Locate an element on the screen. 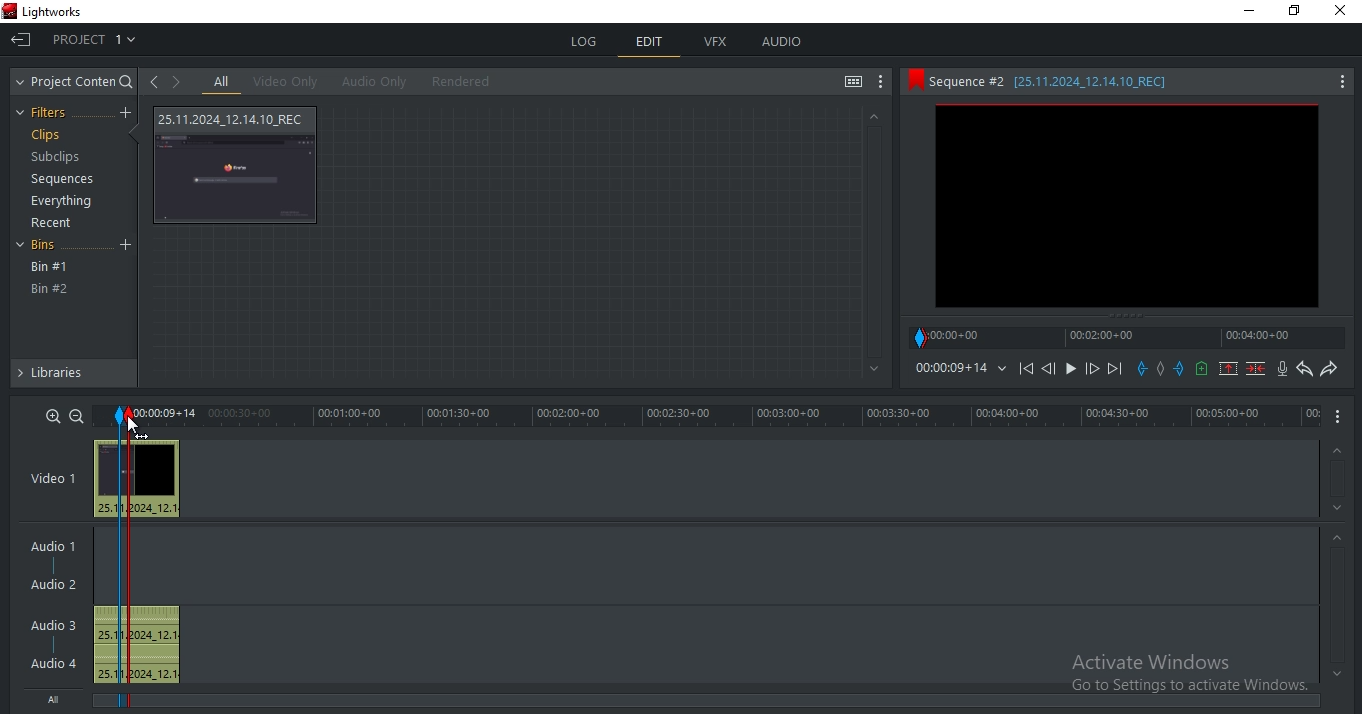 The width and height of the screenshot is (1362, 714). create a filter is located at coordinates (125, 113).